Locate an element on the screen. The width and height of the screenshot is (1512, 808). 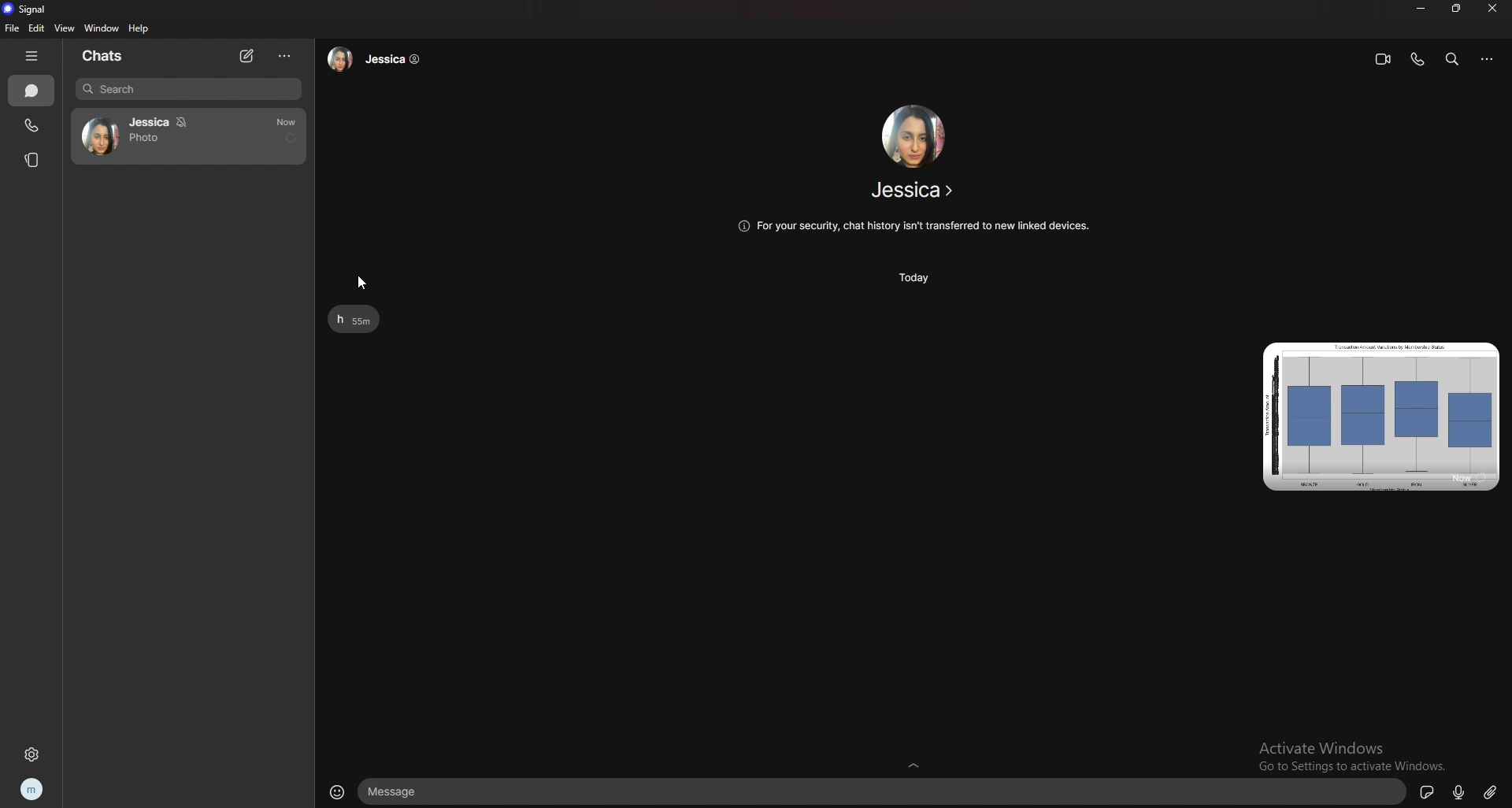
new chat is located at coordinates (247, 57).